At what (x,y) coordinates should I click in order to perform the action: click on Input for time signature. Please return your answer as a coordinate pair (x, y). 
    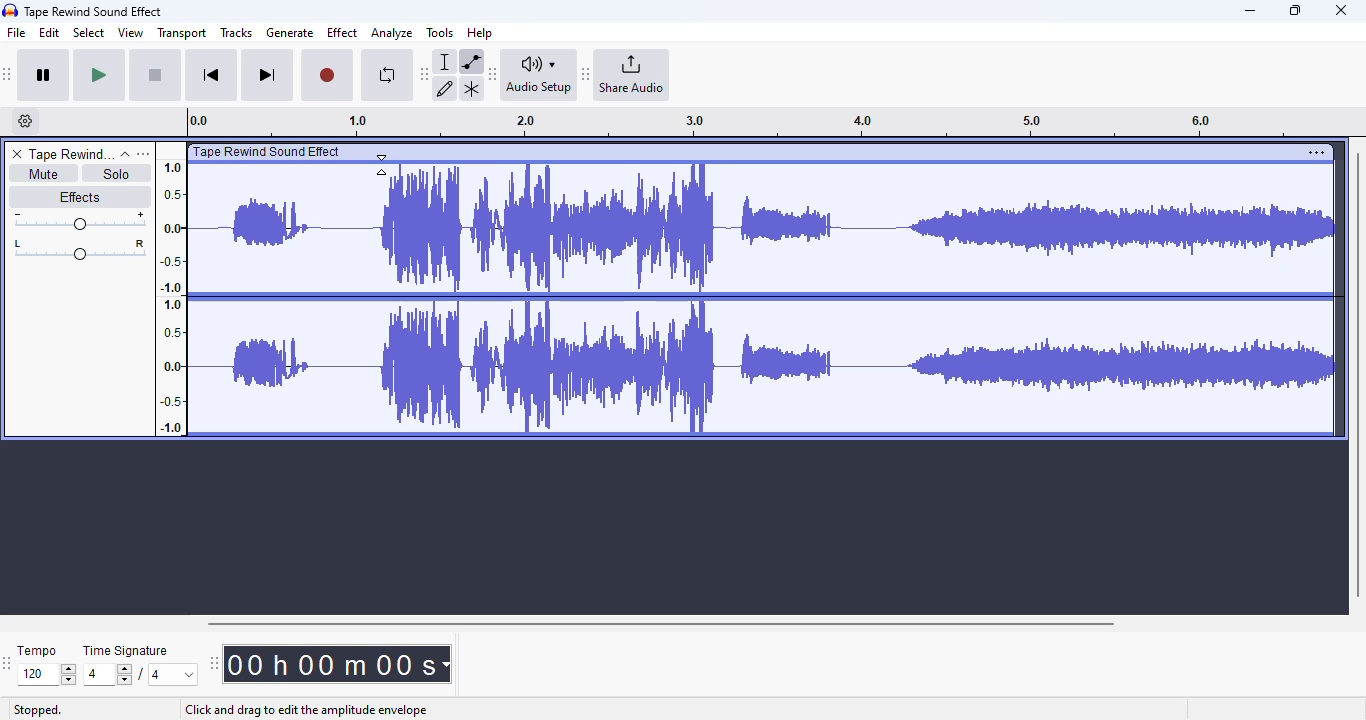
    Looking at the image, I should click on (108, 675).